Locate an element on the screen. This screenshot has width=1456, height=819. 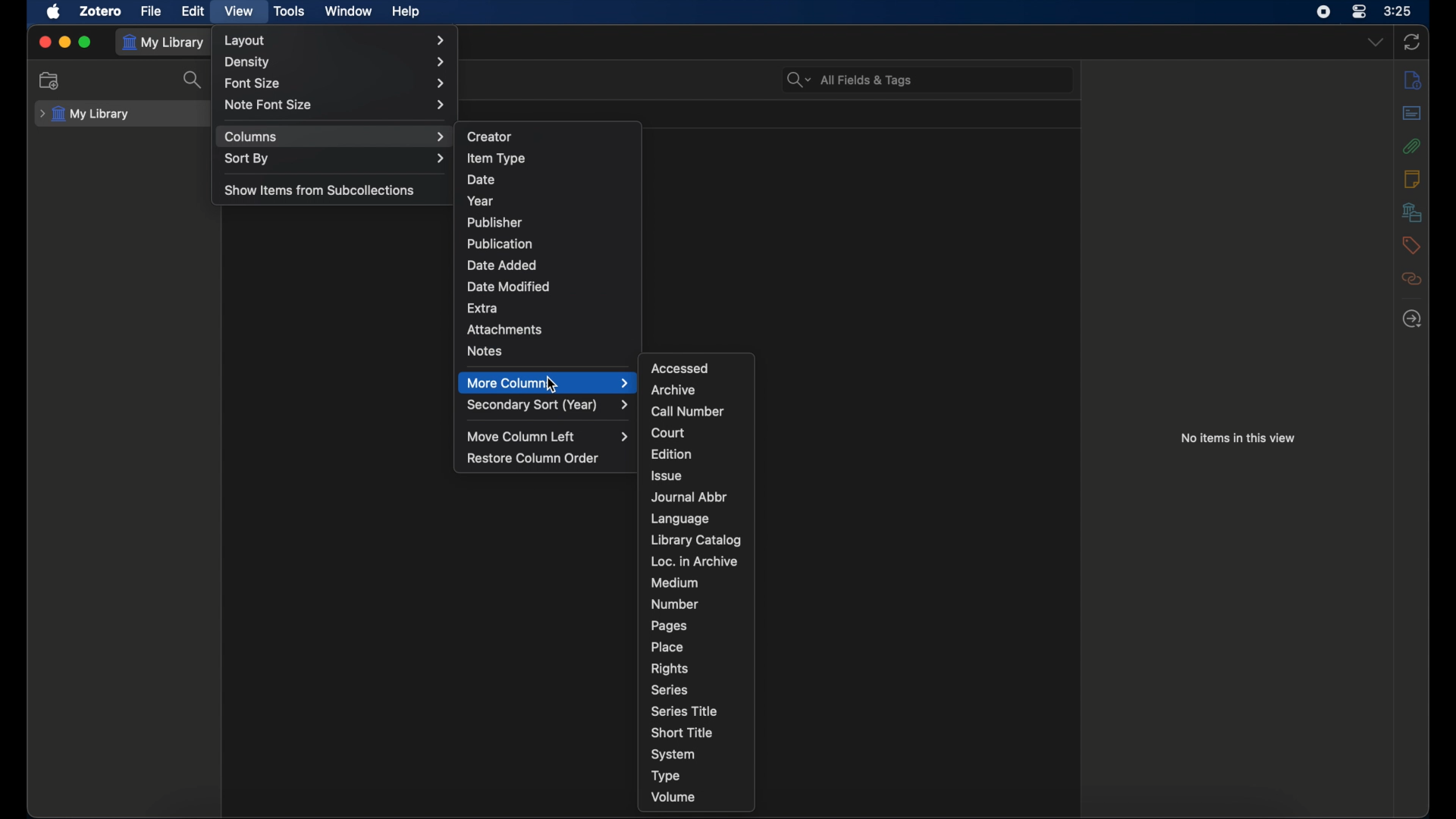
edition is located at coordinates (672, 453).